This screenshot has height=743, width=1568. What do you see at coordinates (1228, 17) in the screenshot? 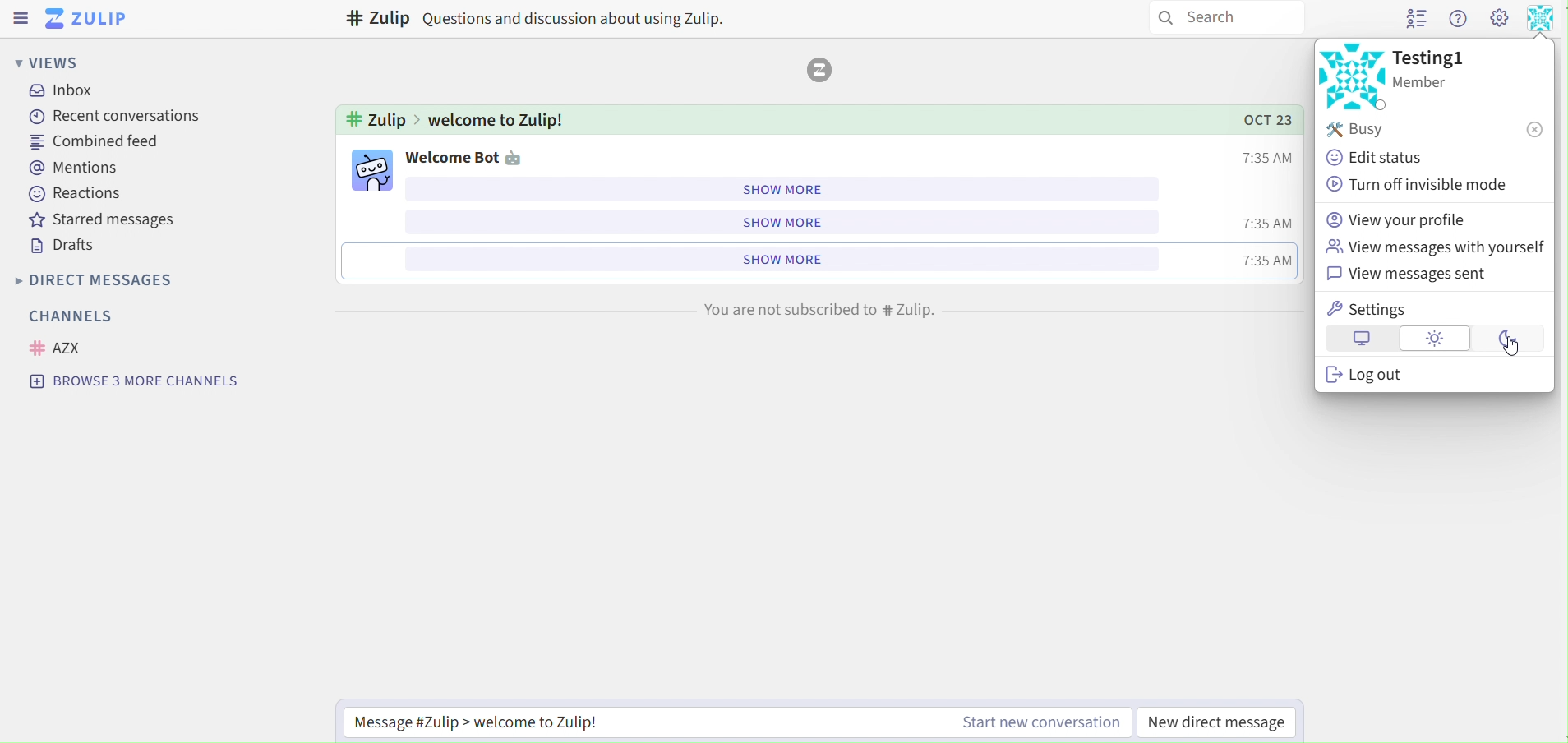
I see `search` at bounding box center [1228, 17].